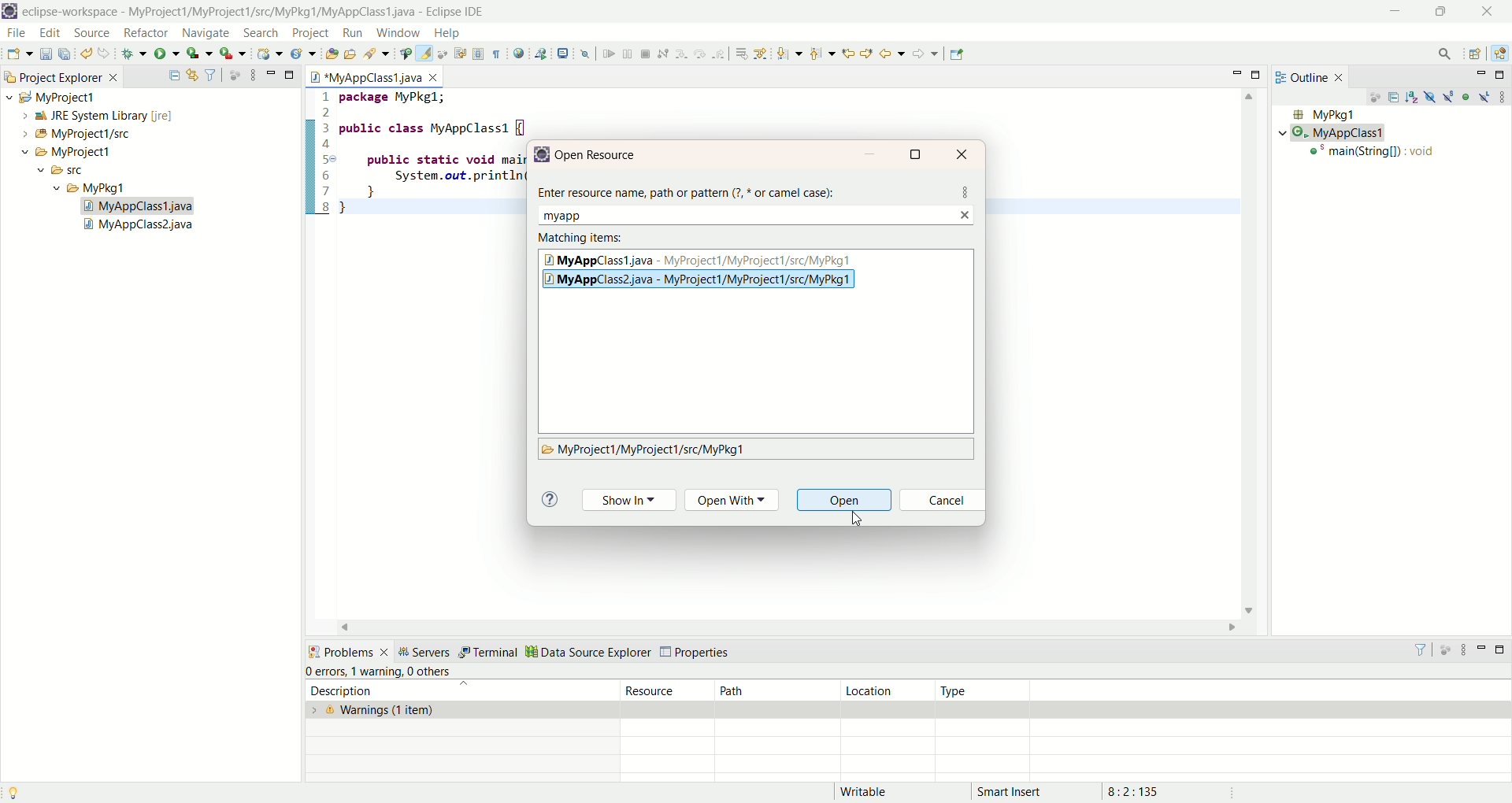  What do you see at coordinates (252, 74) in the screenshot?
I see `view menu` at bounding box center [252, 74].